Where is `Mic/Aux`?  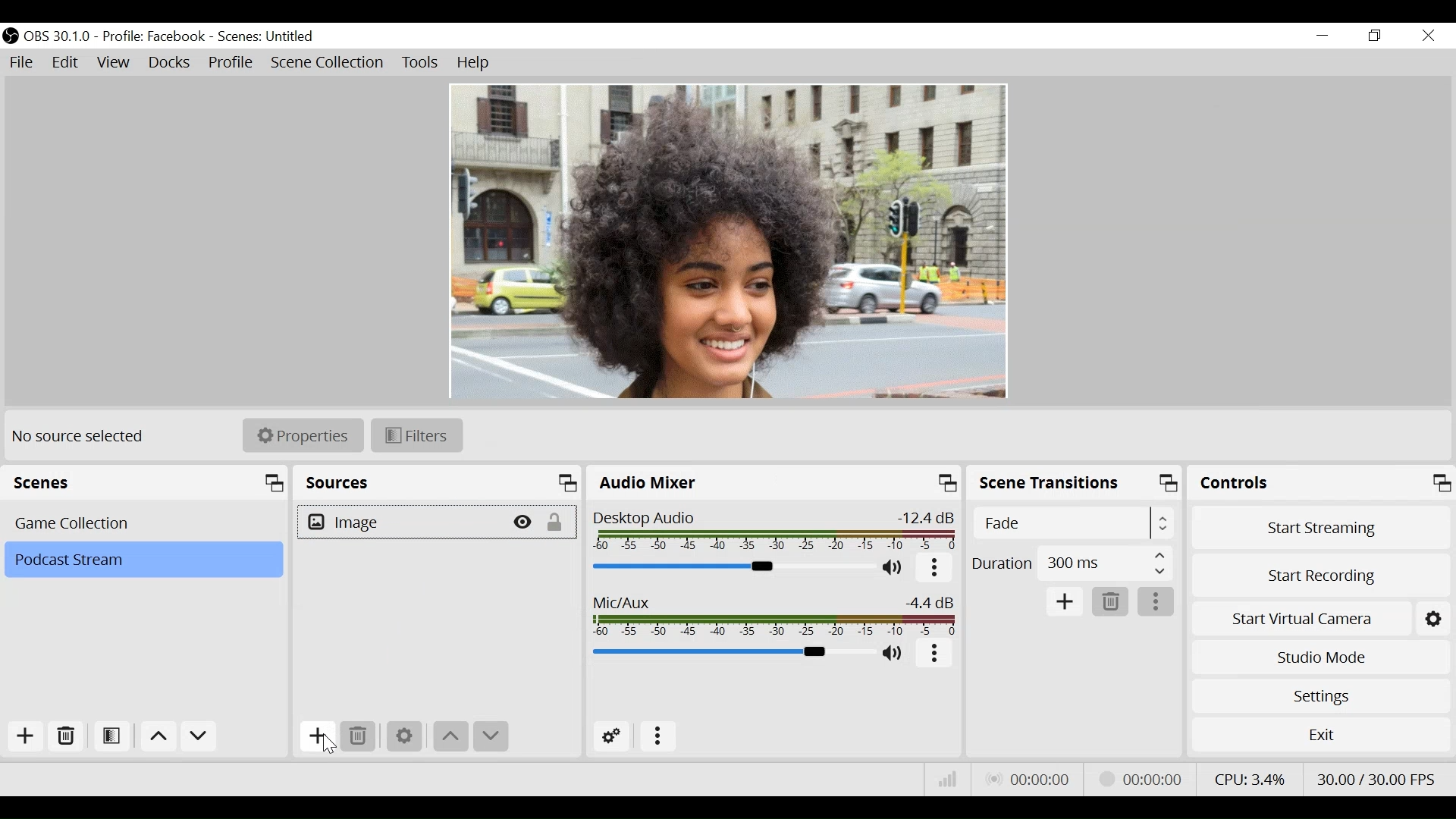 Mic/Aux is located at coordinates (770, 613).